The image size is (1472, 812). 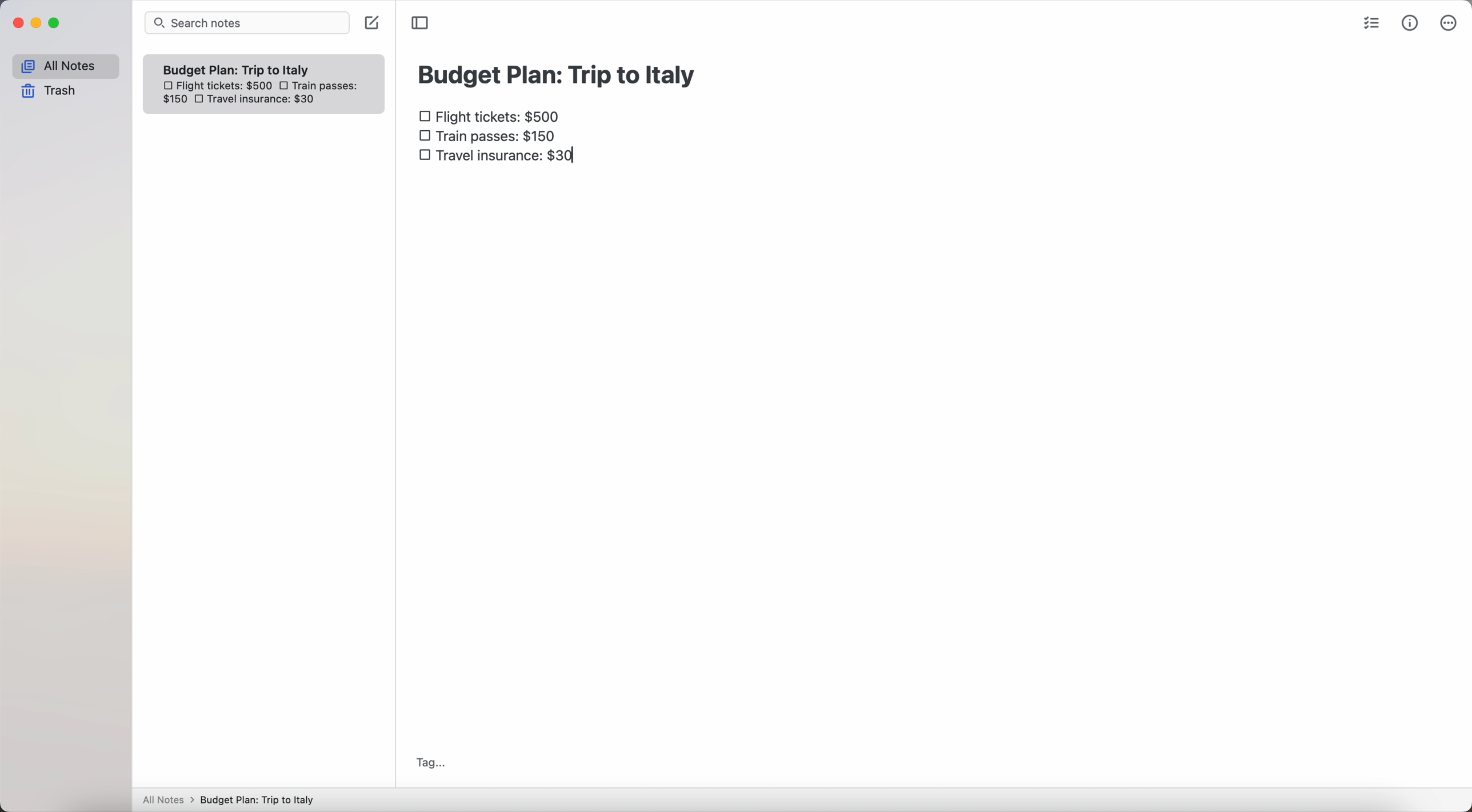 What do you see at coordinates (559, 73) in the screenshot?
I see `budget plan: trip to Italy` at bounding box center [559, 73].